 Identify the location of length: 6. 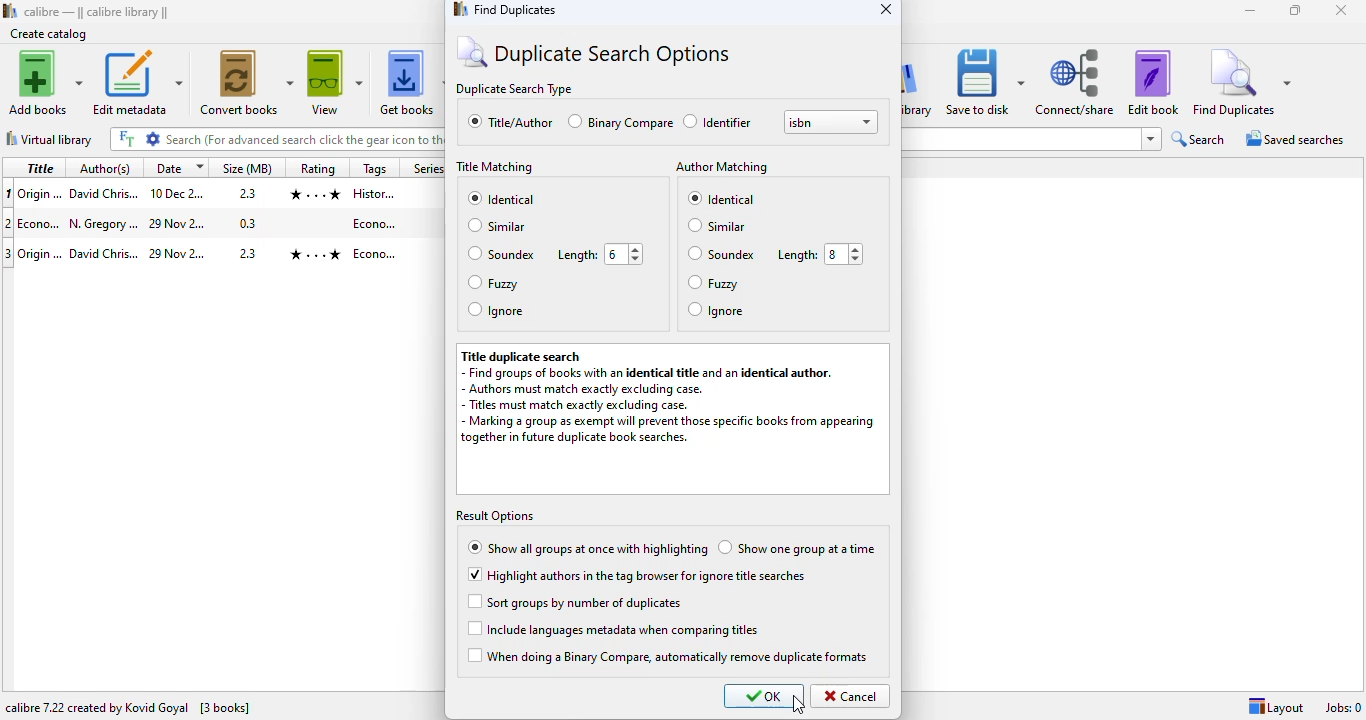
(598, 255).